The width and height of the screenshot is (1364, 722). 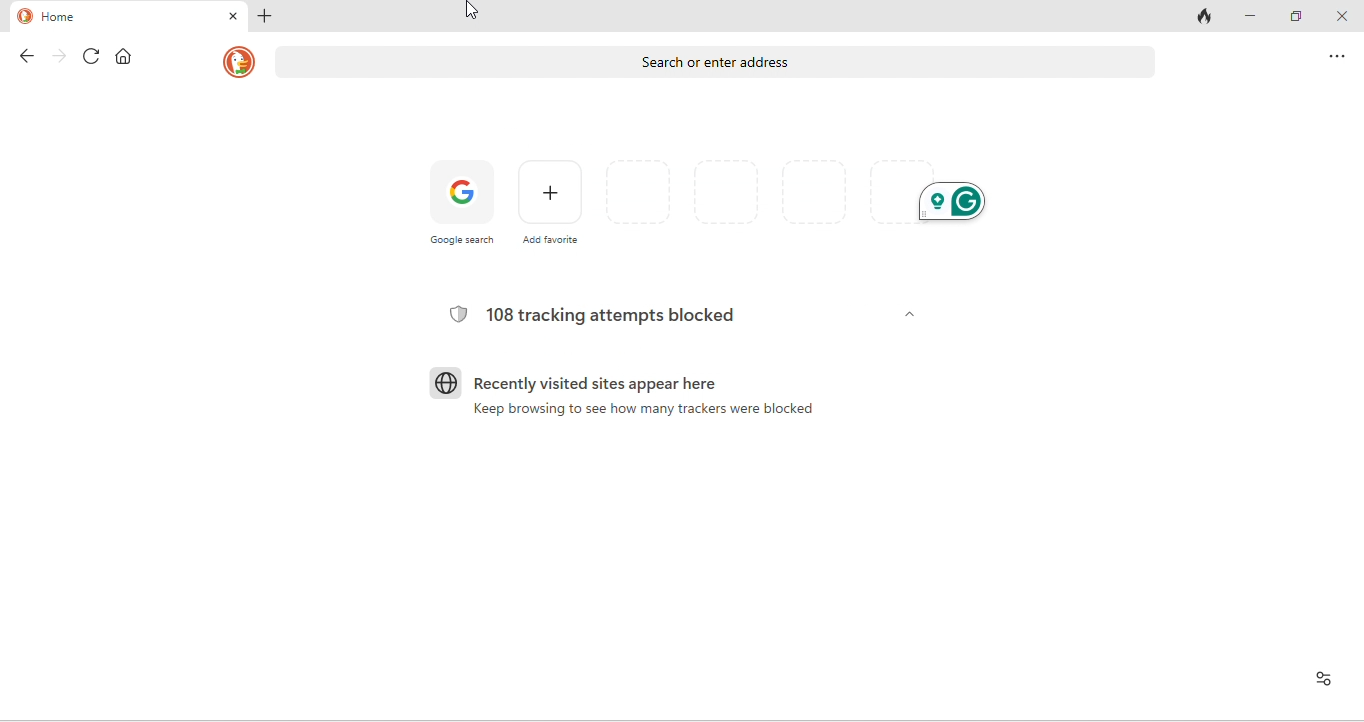 I want to click on globe icon, so click(x=444, y=384).